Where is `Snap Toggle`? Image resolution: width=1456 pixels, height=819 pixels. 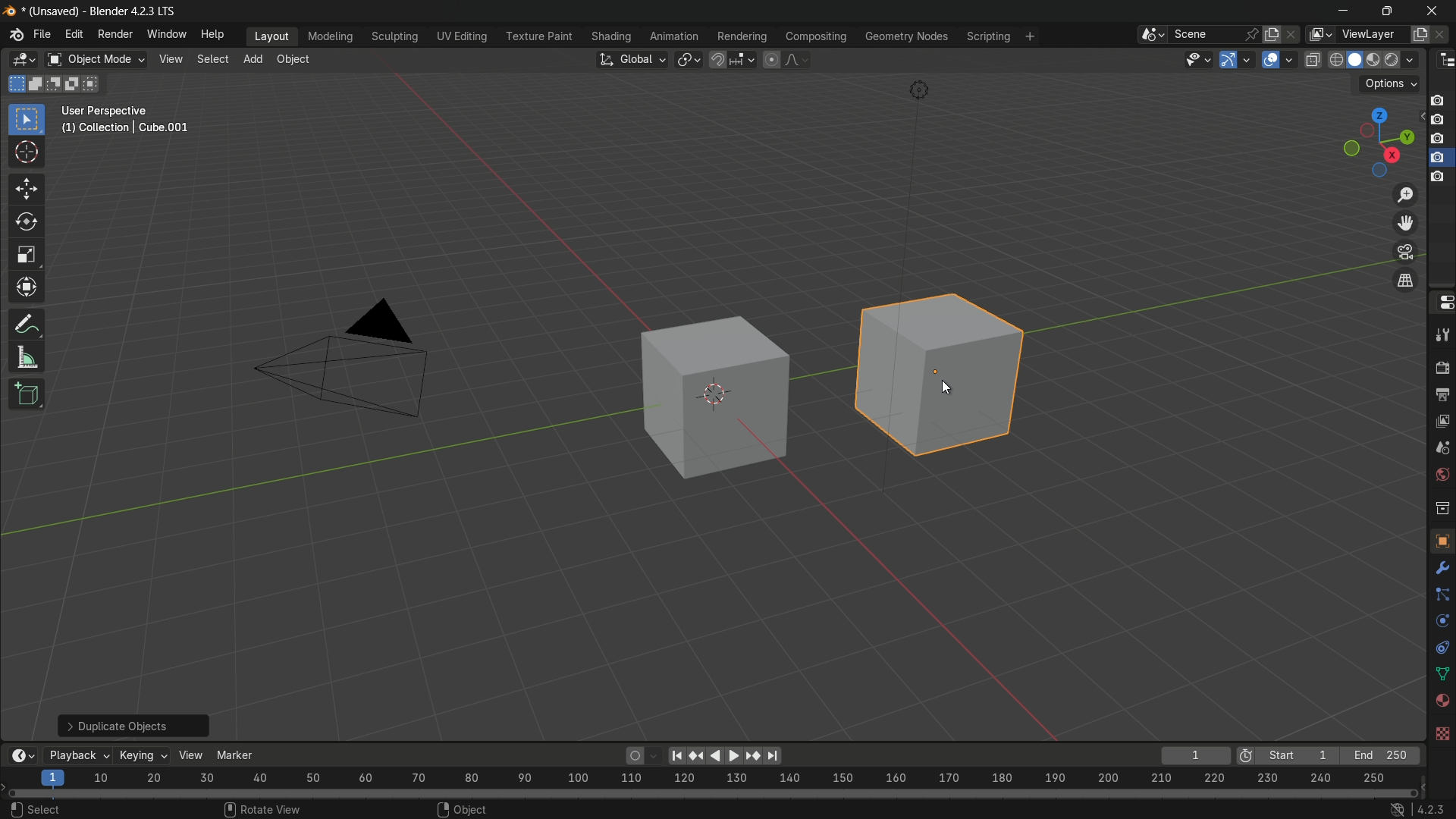 Snap Toggle is located at coordinates (585, 808).